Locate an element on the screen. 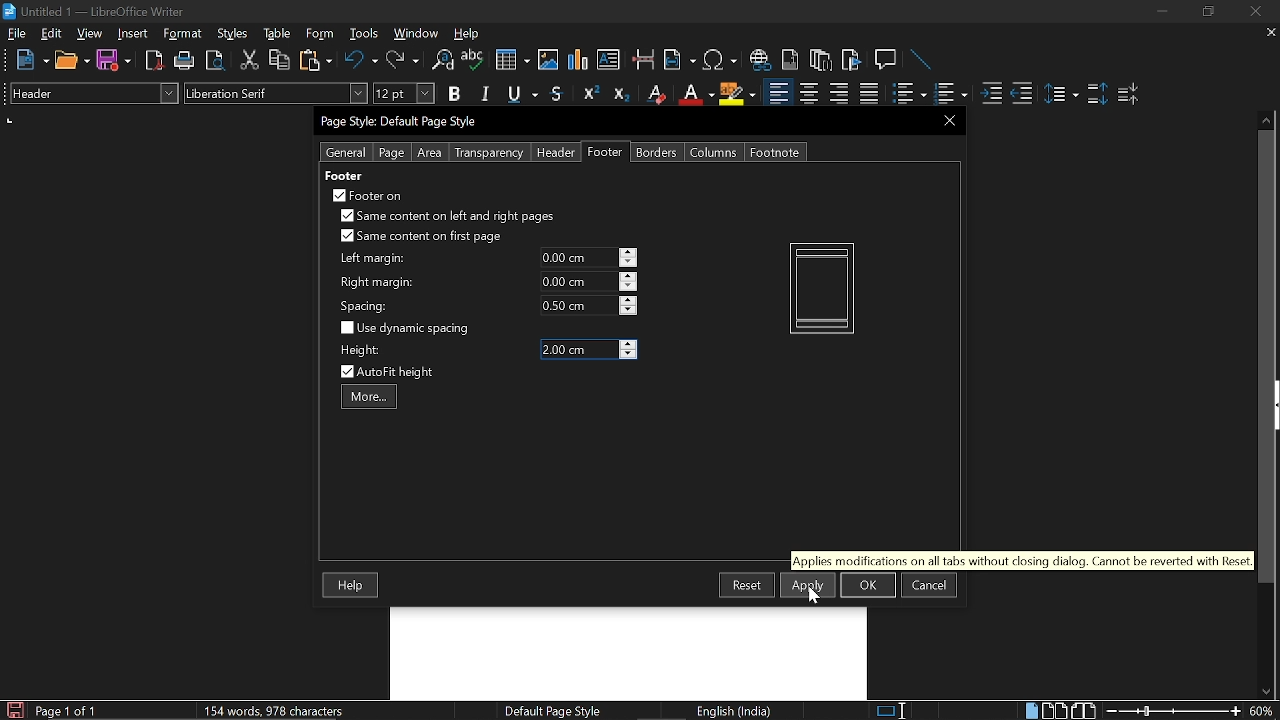 The width and height of the screenshot is (1280, 720). Undo is located at coordinates (362, 60).